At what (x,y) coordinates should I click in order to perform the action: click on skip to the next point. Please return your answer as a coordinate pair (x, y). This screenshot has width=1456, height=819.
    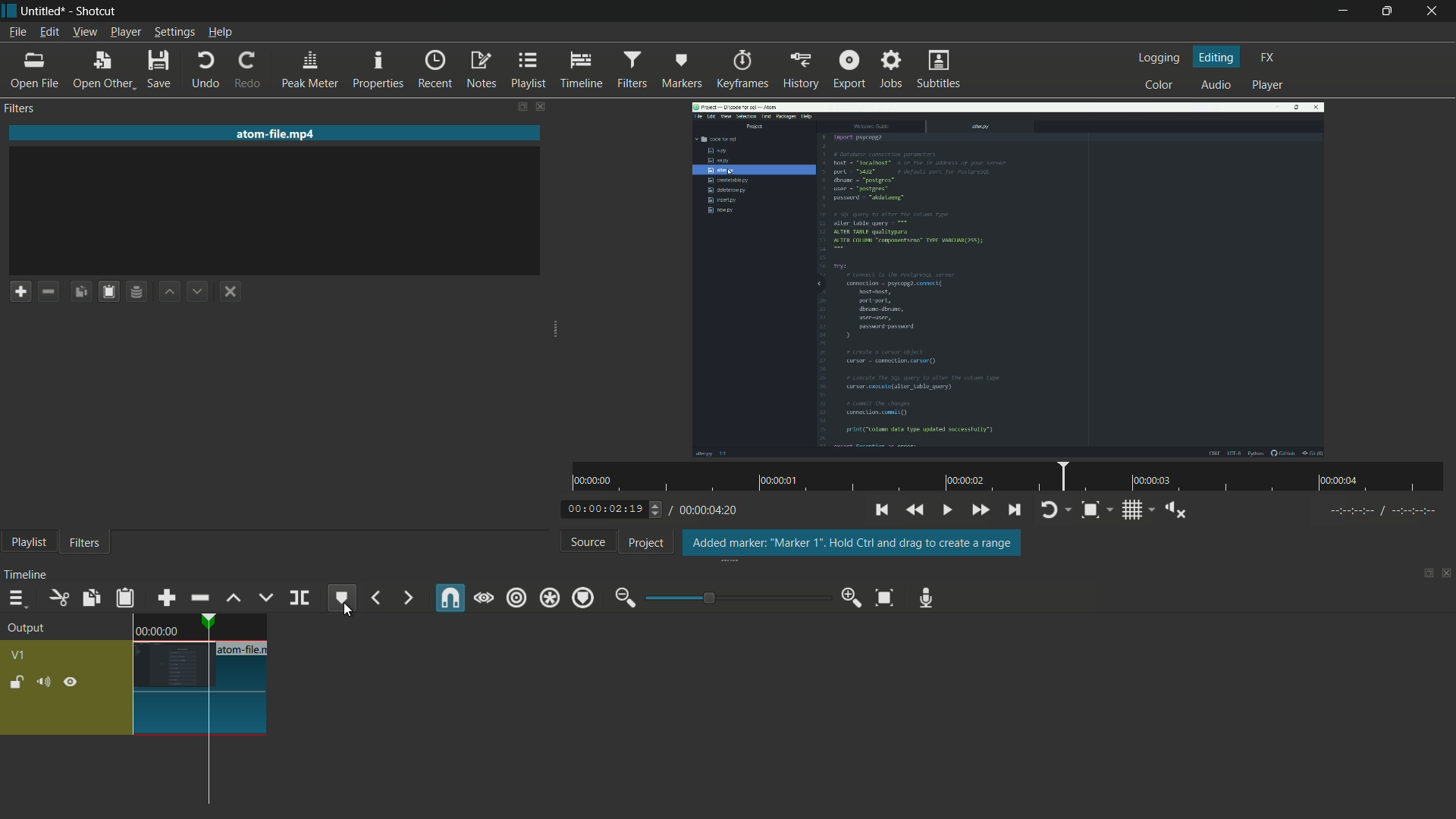
    Looking at the image, I should click on (1014, 510).